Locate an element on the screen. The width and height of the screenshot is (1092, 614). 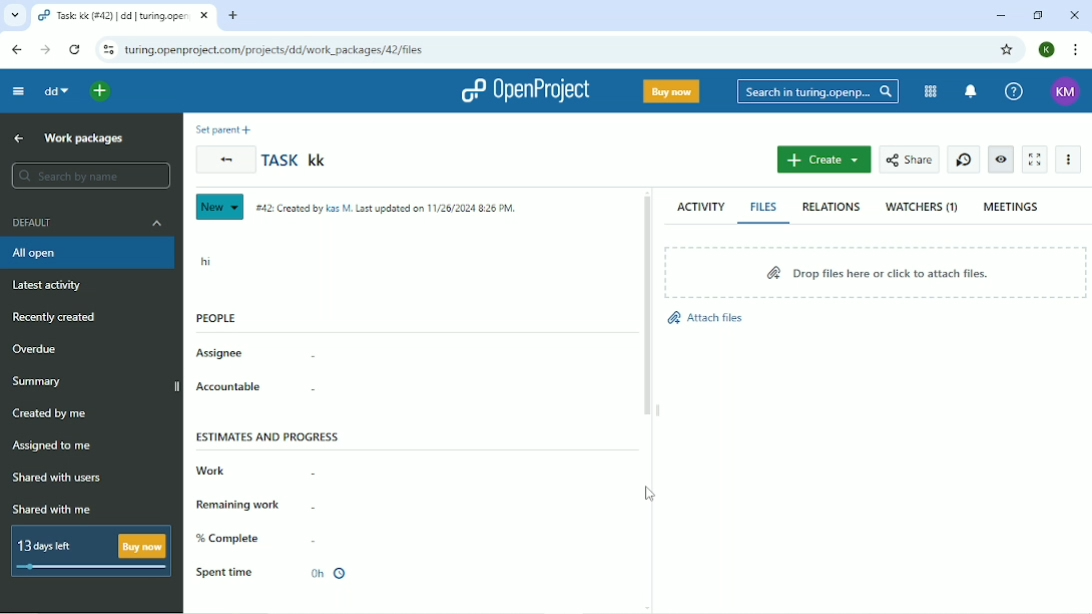
Cursor is located at coordinates (650, 495).